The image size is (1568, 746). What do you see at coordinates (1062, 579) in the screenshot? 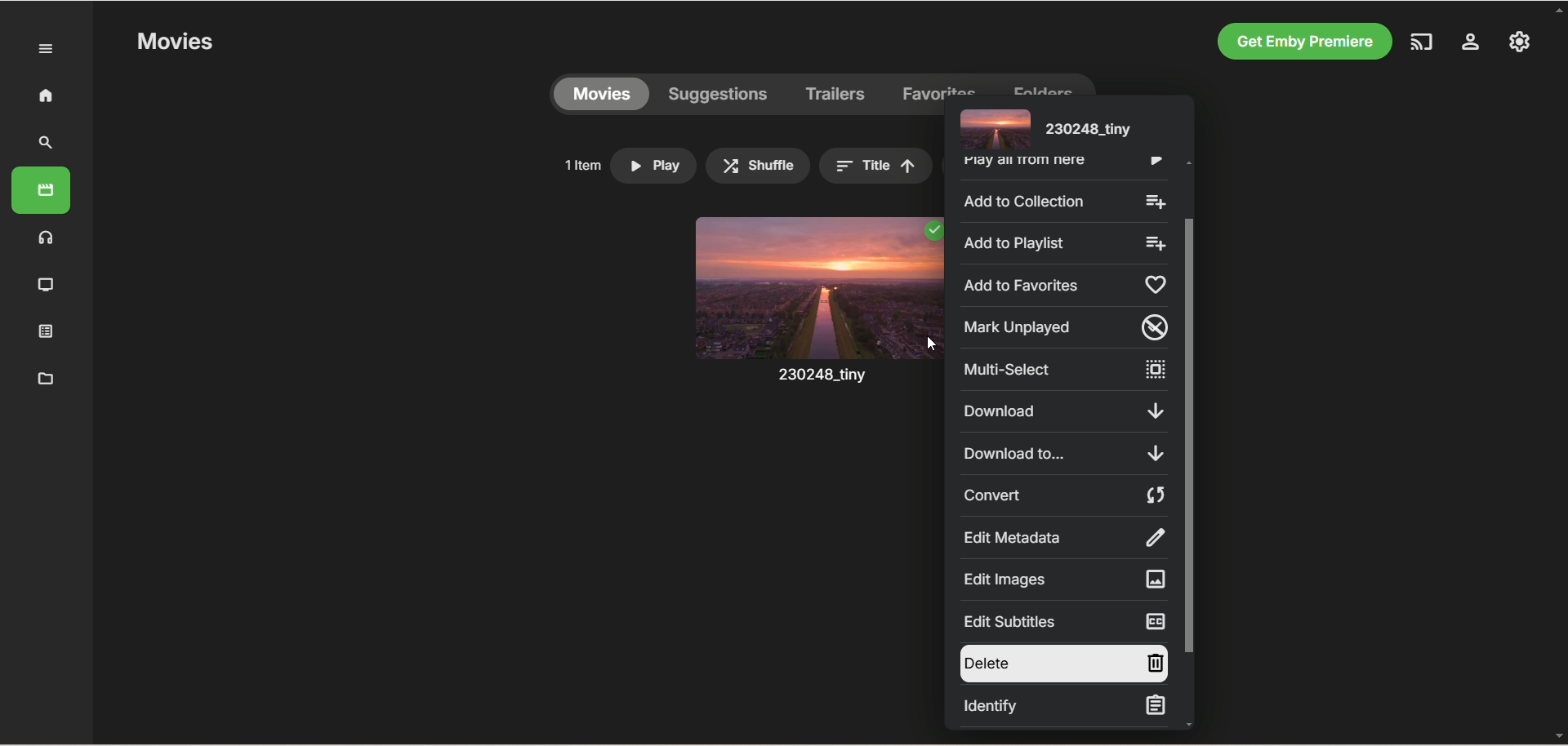
I see `edit images` at bounding box center [1062, 579].